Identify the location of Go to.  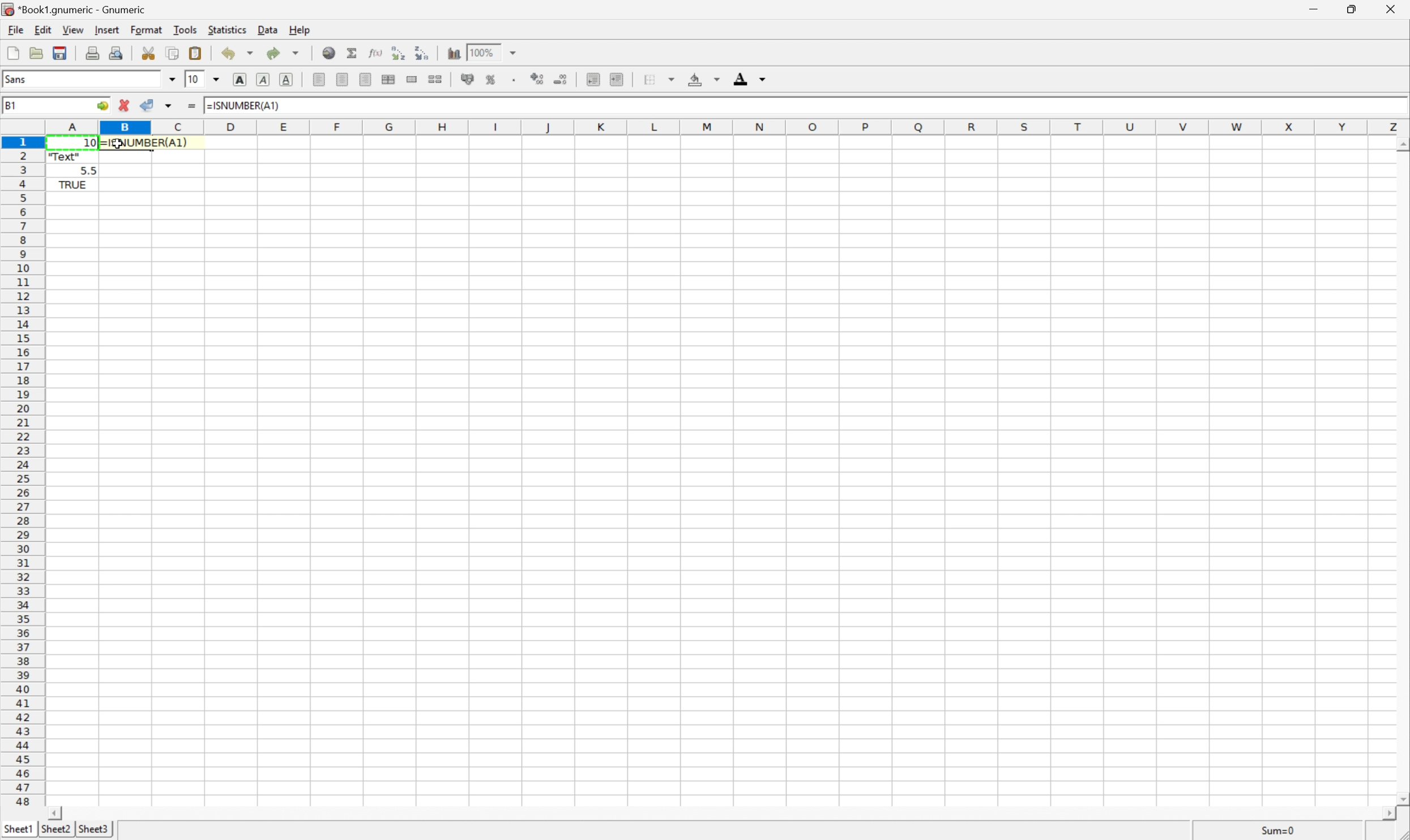
(101, 104).